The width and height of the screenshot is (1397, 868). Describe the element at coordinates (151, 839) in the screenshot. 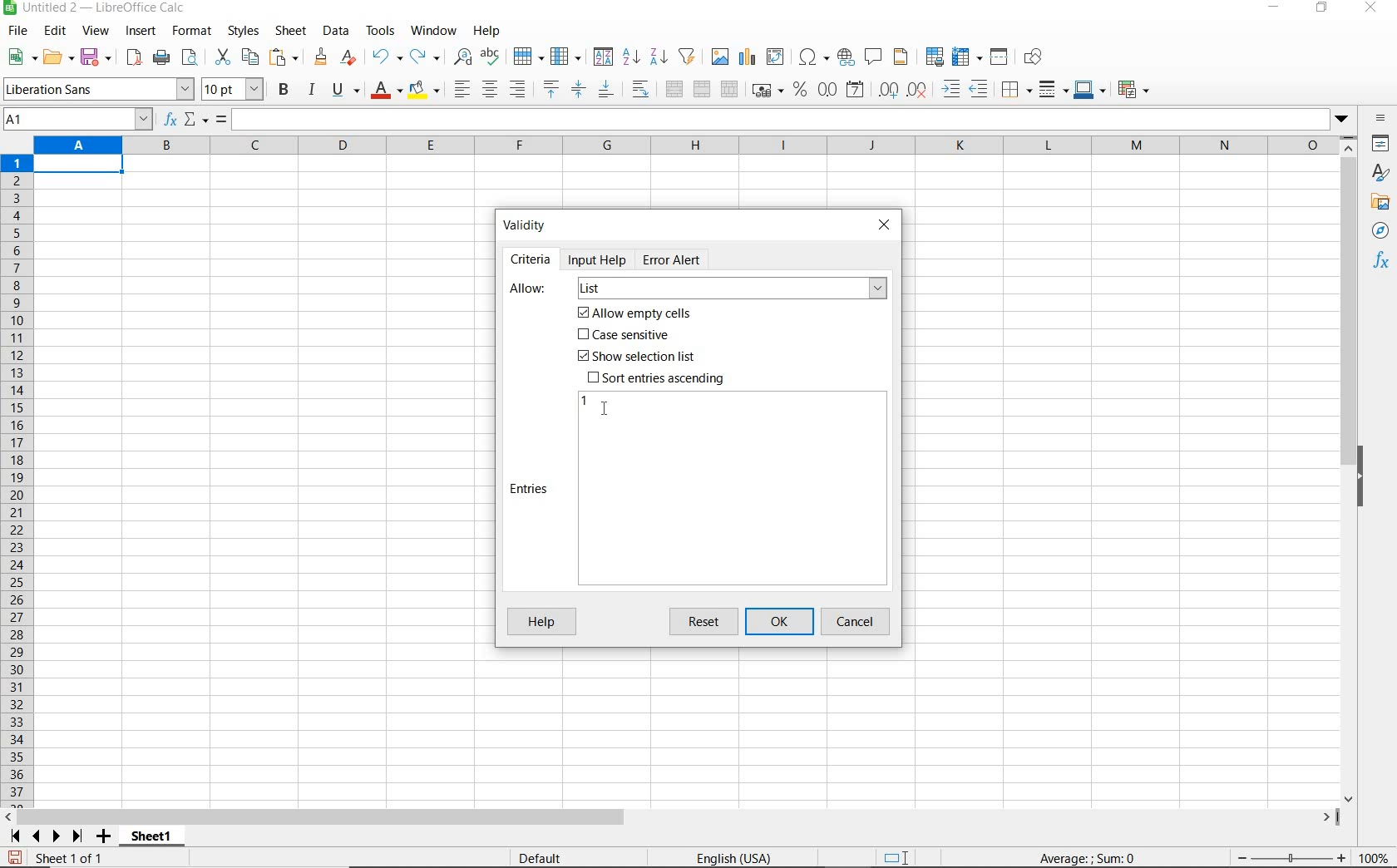

I see `sheet1` at that location.